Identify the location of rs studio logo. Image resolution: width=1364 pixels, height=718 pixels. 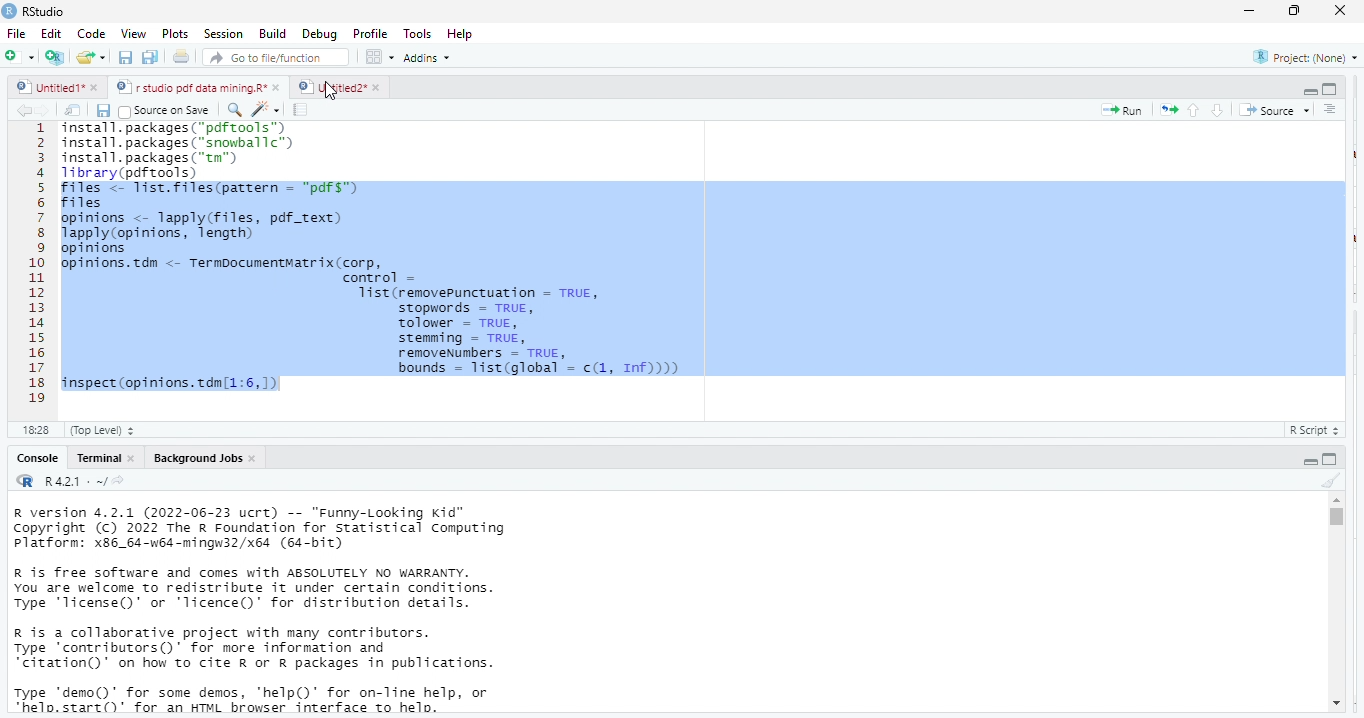
(9, 10).